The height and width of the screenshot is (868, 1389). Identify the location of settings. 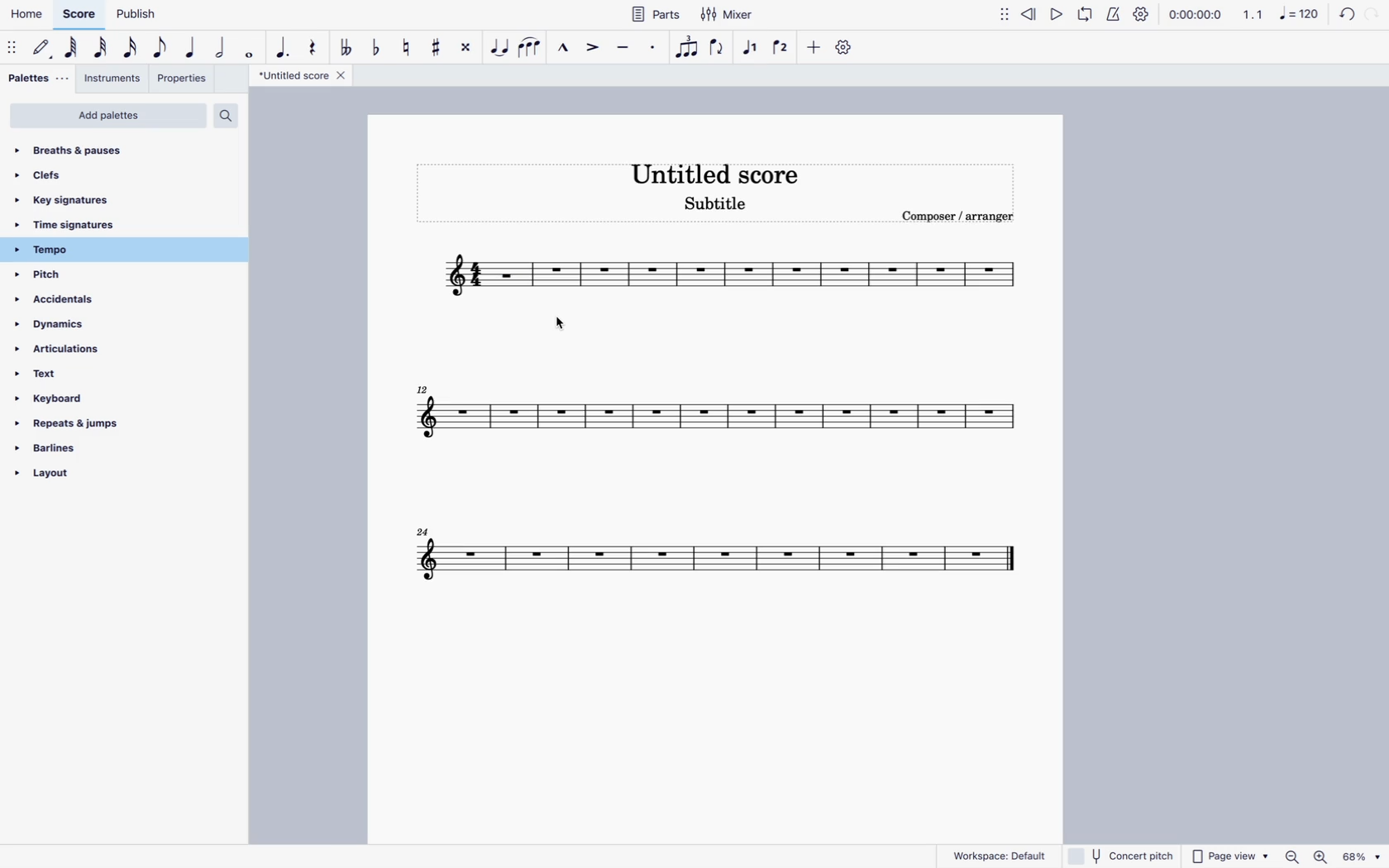
(845, 49).